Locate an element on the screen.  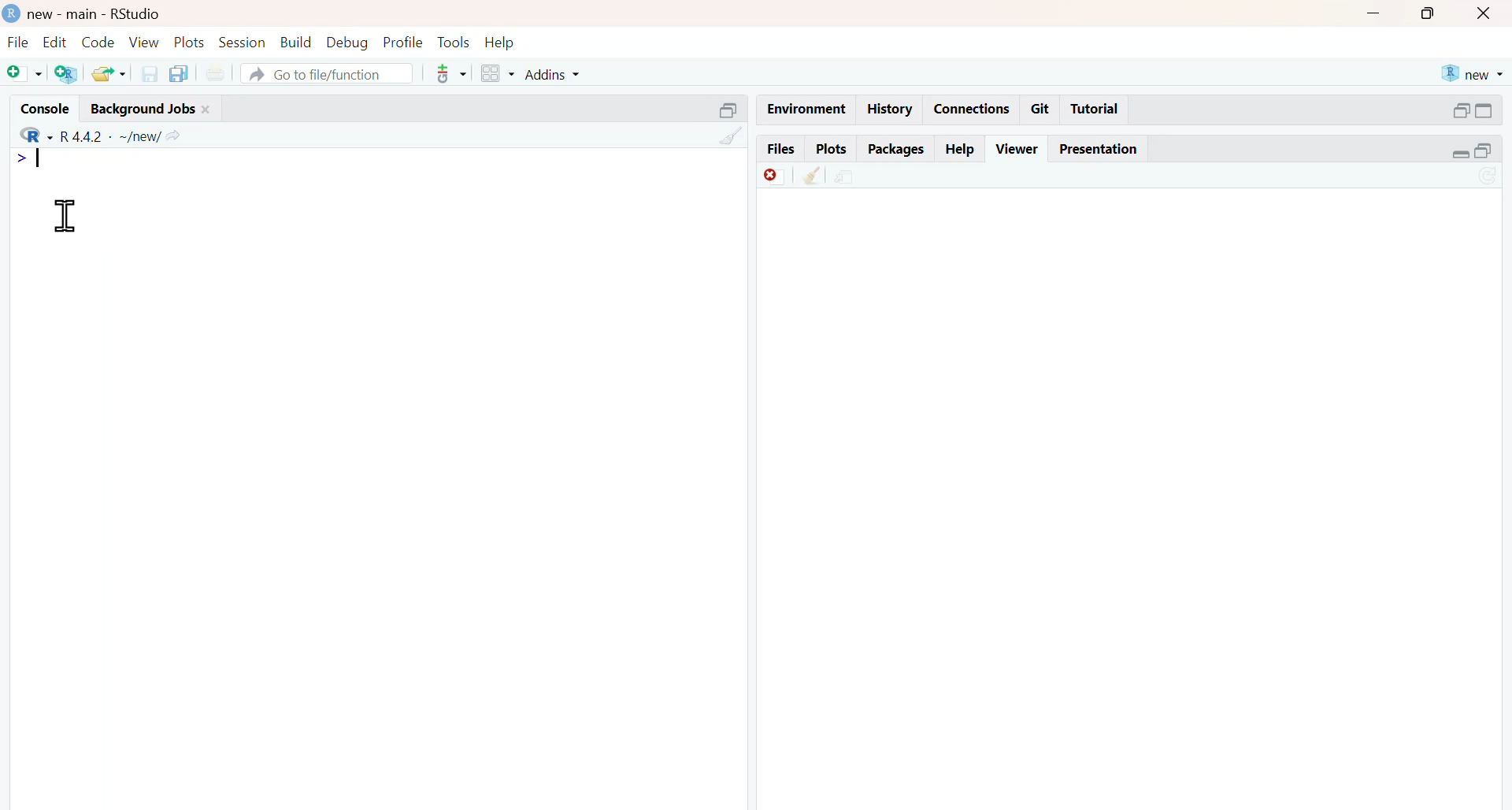
new - main - RStudio is located at coordinates (96, 14).